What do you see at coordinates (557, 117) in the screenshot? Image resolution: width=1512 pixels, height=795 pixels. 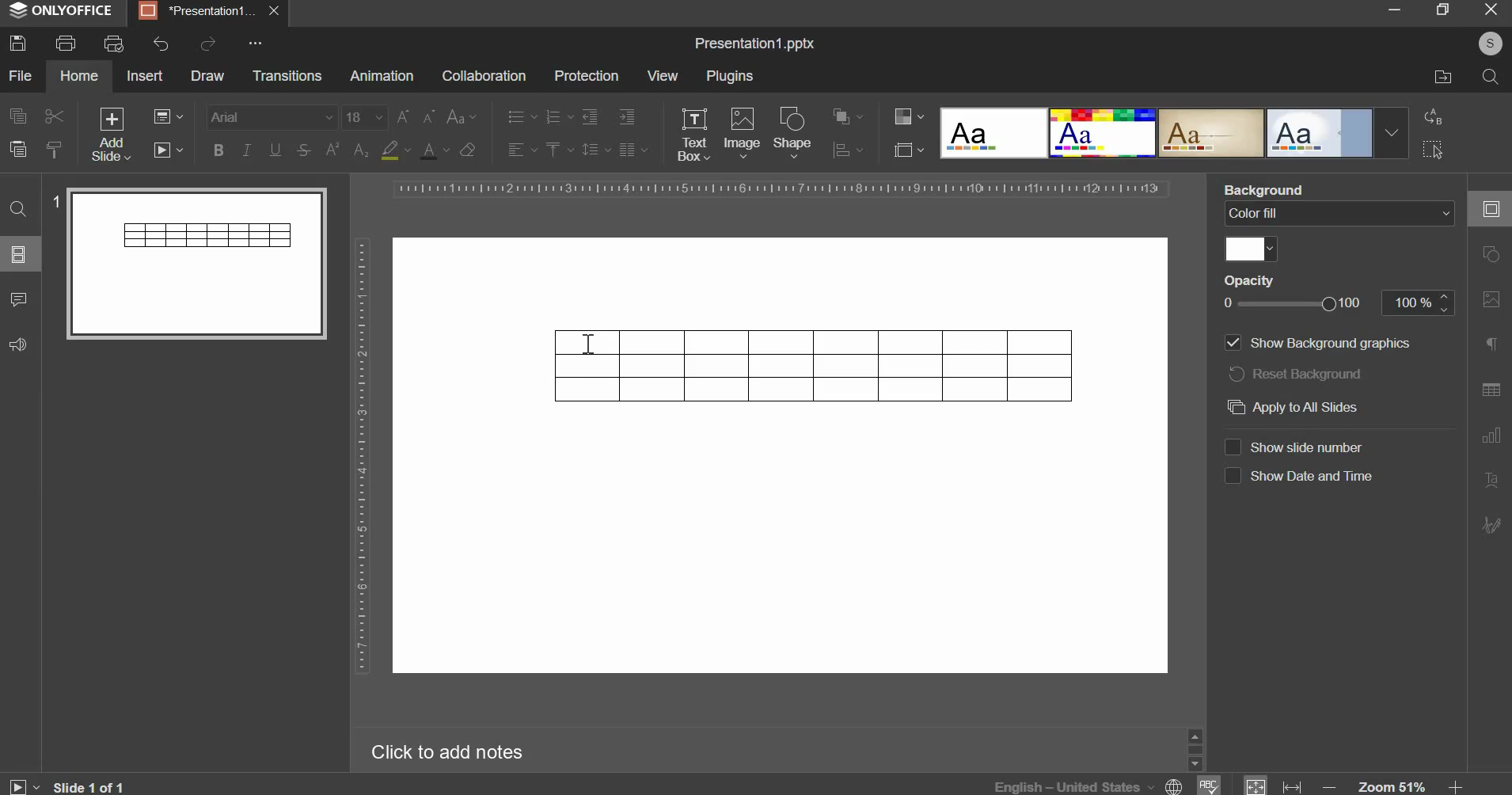 I see `numbering` at bounding box center [557, 117].